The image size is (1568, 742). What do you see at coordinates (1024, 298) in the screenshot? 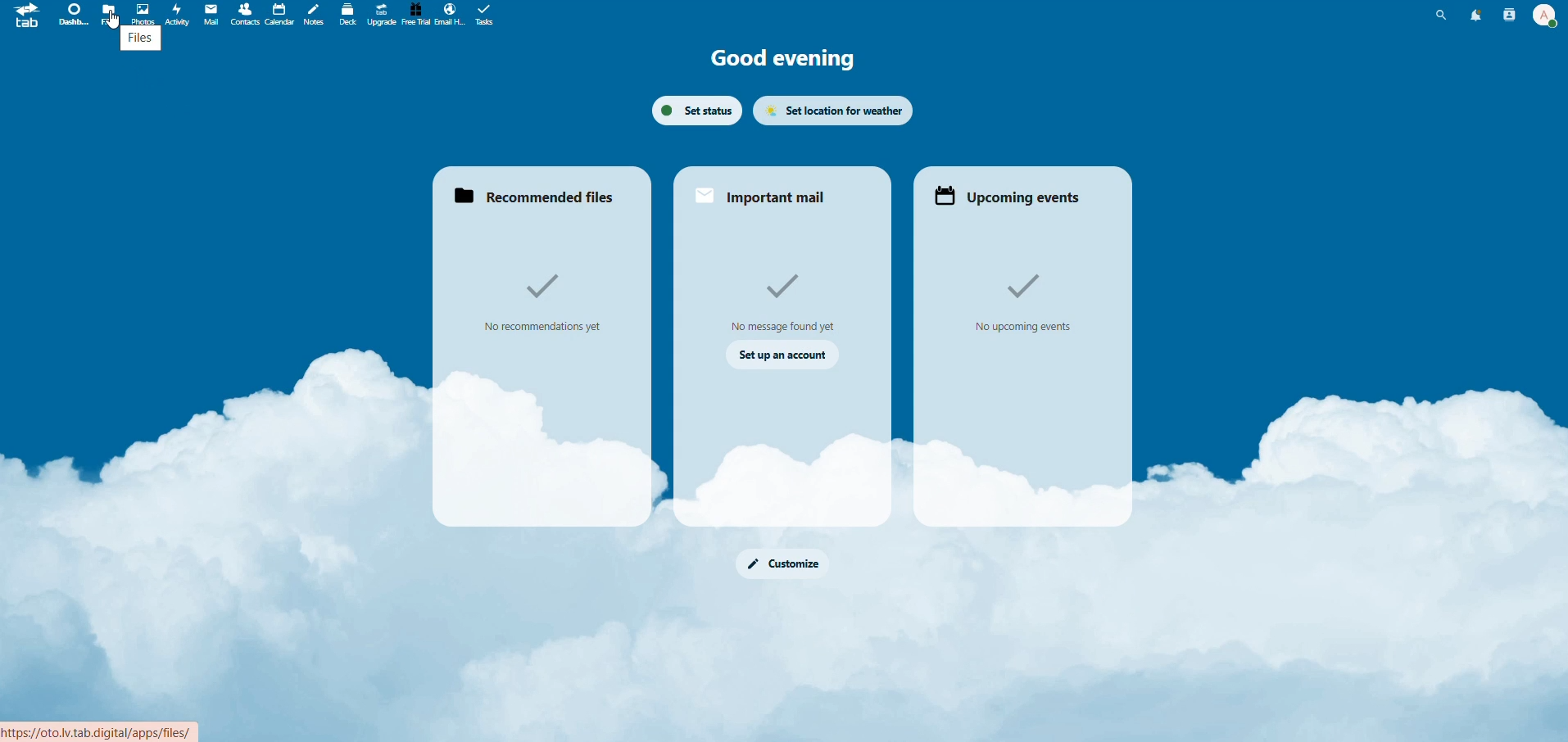
I see `Text` at bounding box center [1024, 298].